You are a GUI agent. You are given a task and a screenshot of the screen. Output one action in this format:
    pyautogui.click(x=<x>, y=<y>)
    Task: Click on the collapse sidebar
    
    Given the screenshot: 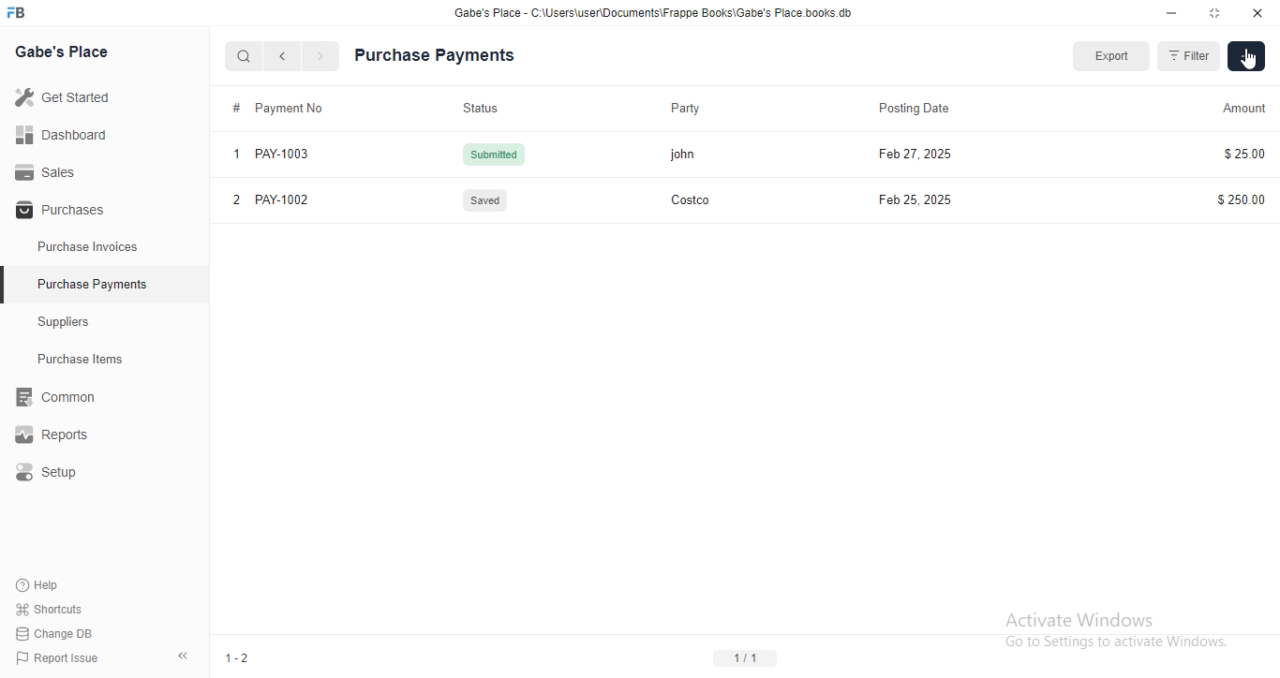 What is the action you would take?
    pyautogui.click(x=182, y=655)
    